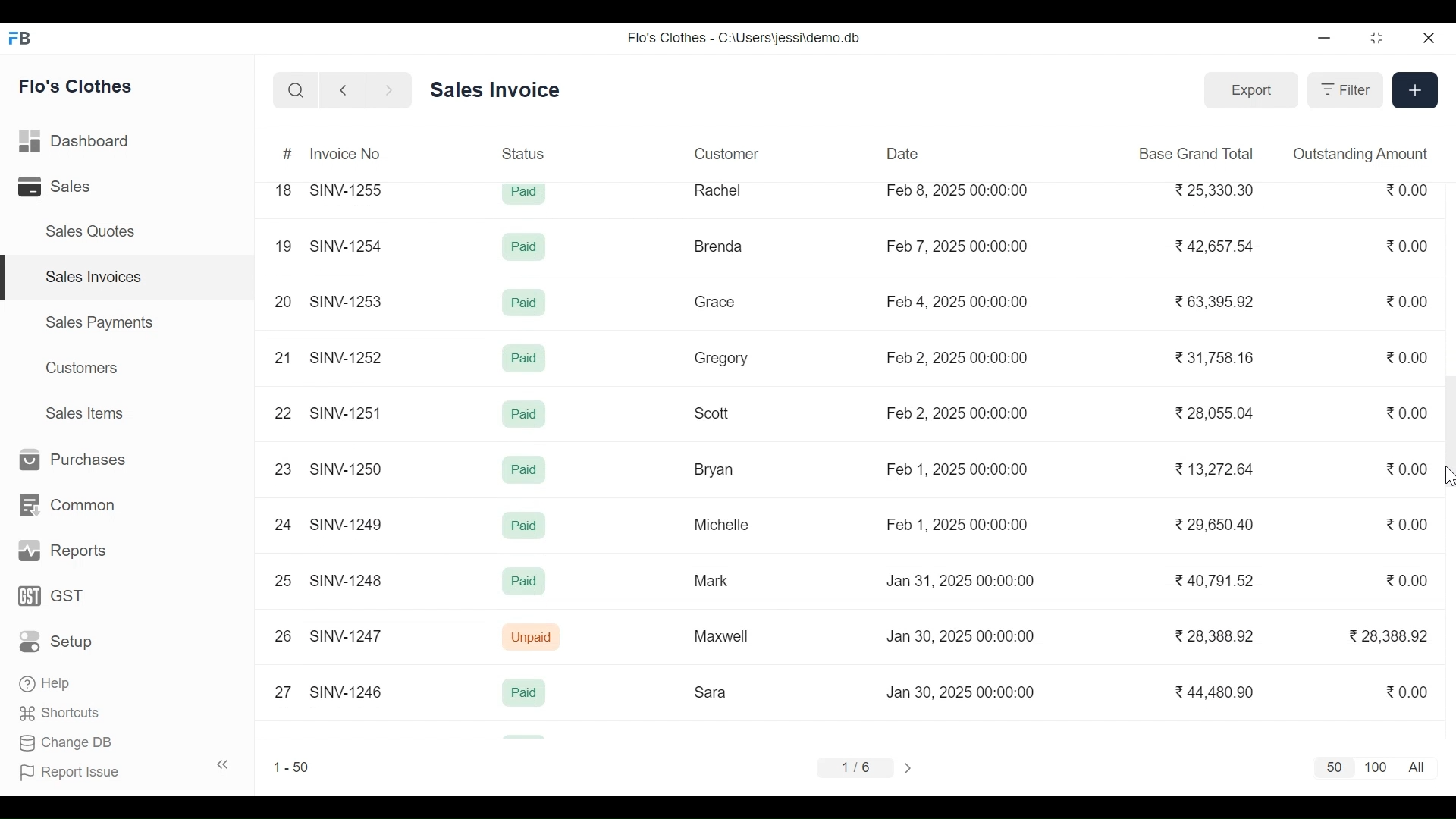 The image size is (1456, 819). I want to click on Feb 1, 2025 00:00:00, so click(956, 525).